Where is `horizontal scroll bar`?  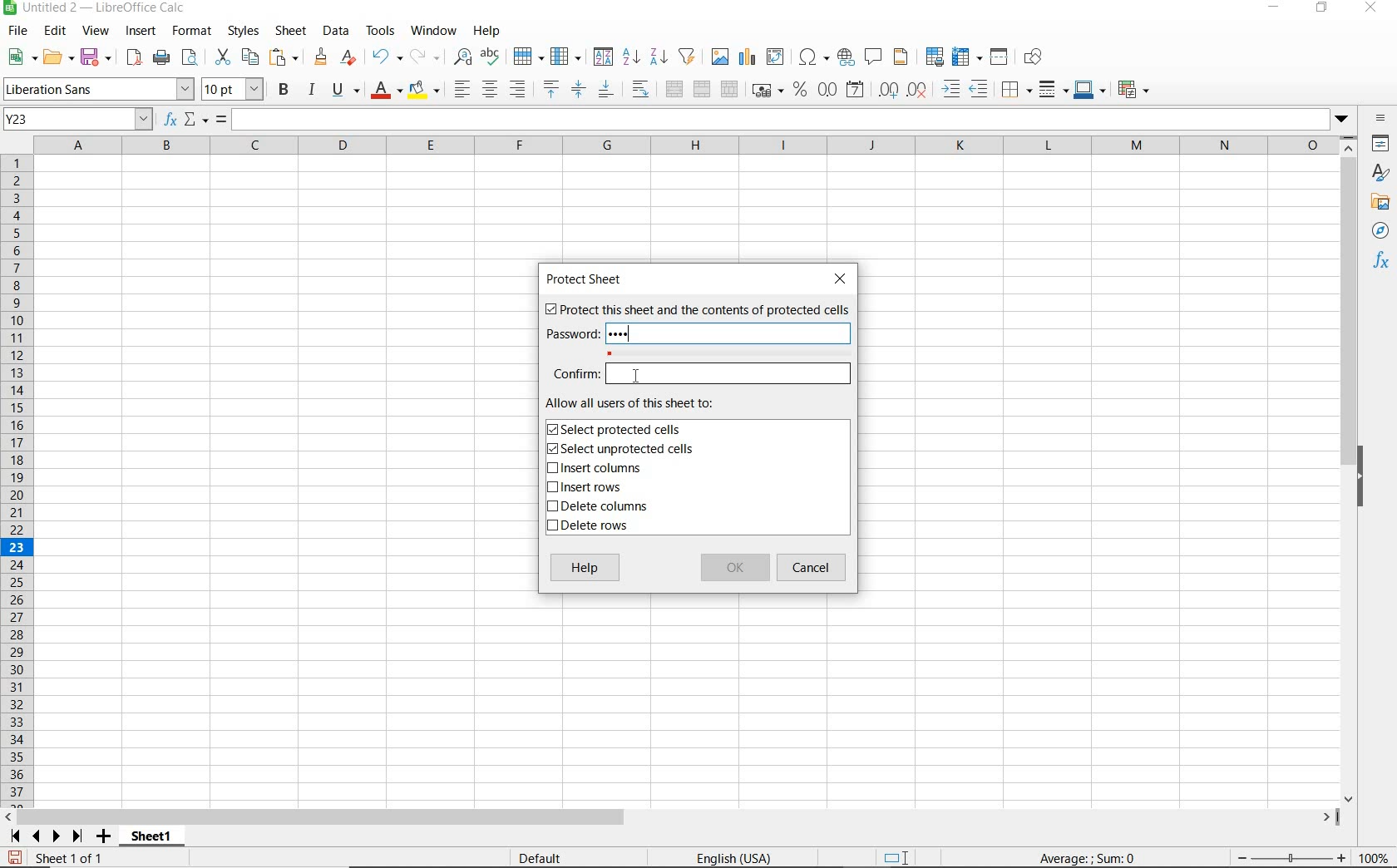 horizontal scroll bar is located at coordinates (682, 815).